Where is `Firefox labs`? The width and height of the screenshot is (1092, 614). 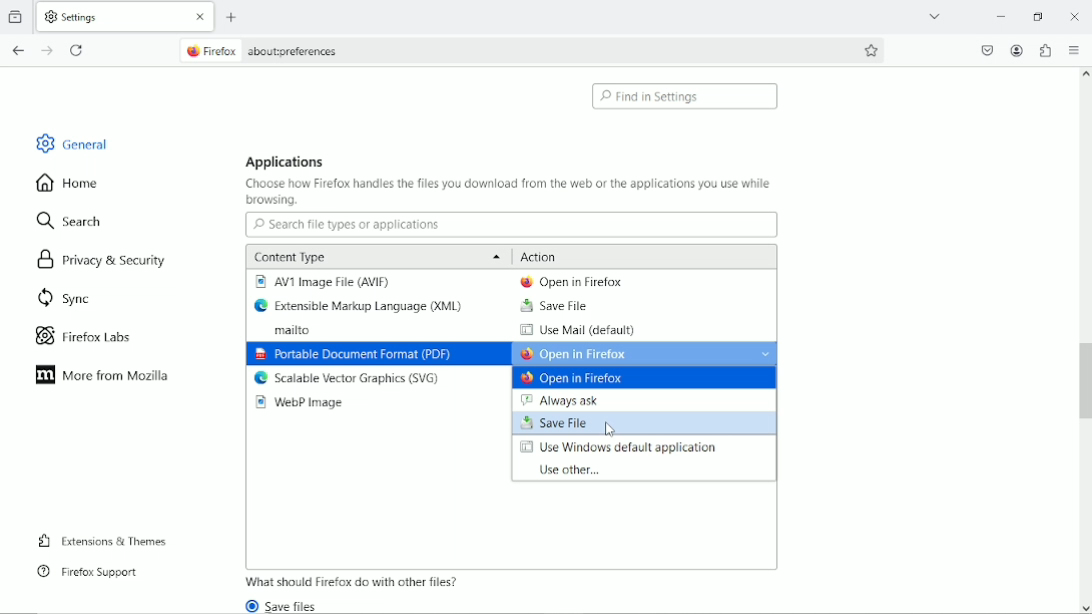 Firefox labs is located at coordinates (92, 335).